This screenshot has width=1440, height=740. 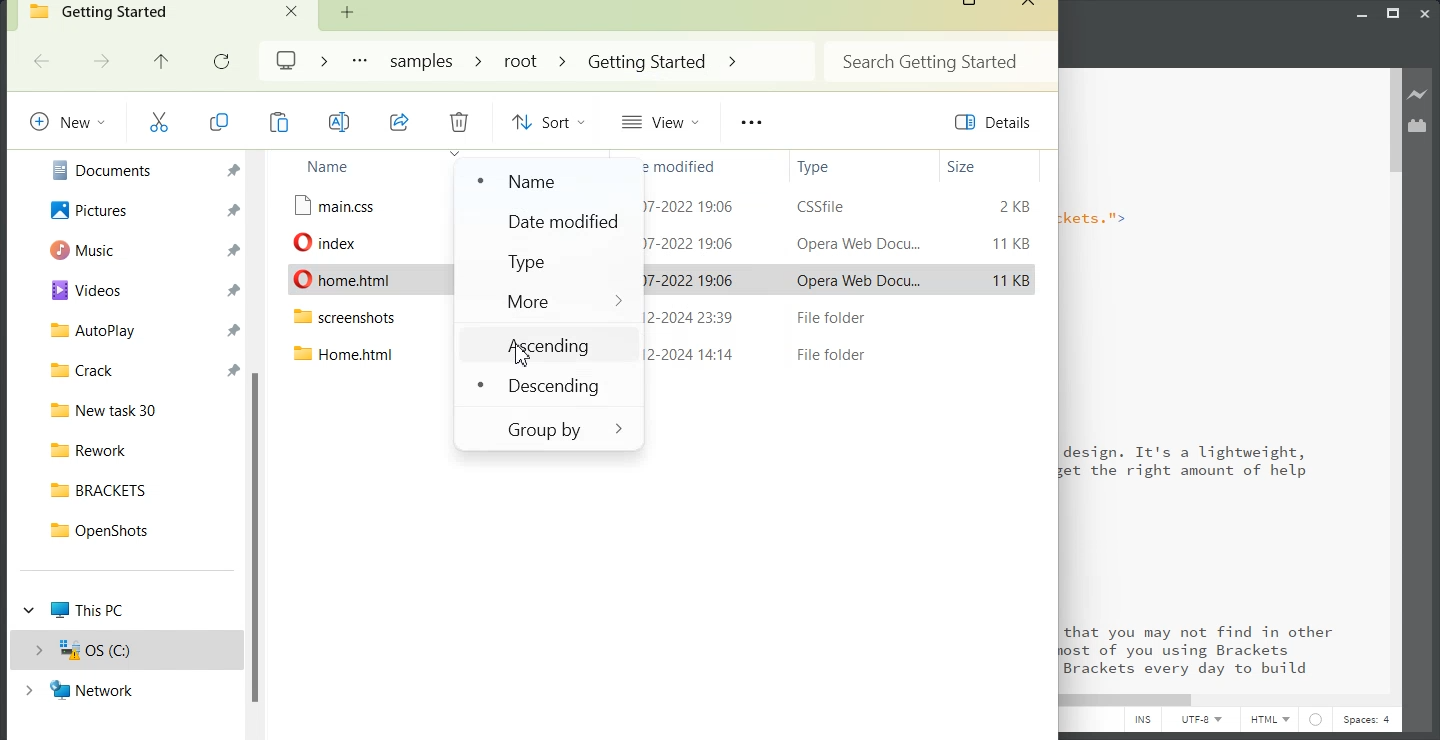 I want to click on Cut, so click(x=159, y=122).